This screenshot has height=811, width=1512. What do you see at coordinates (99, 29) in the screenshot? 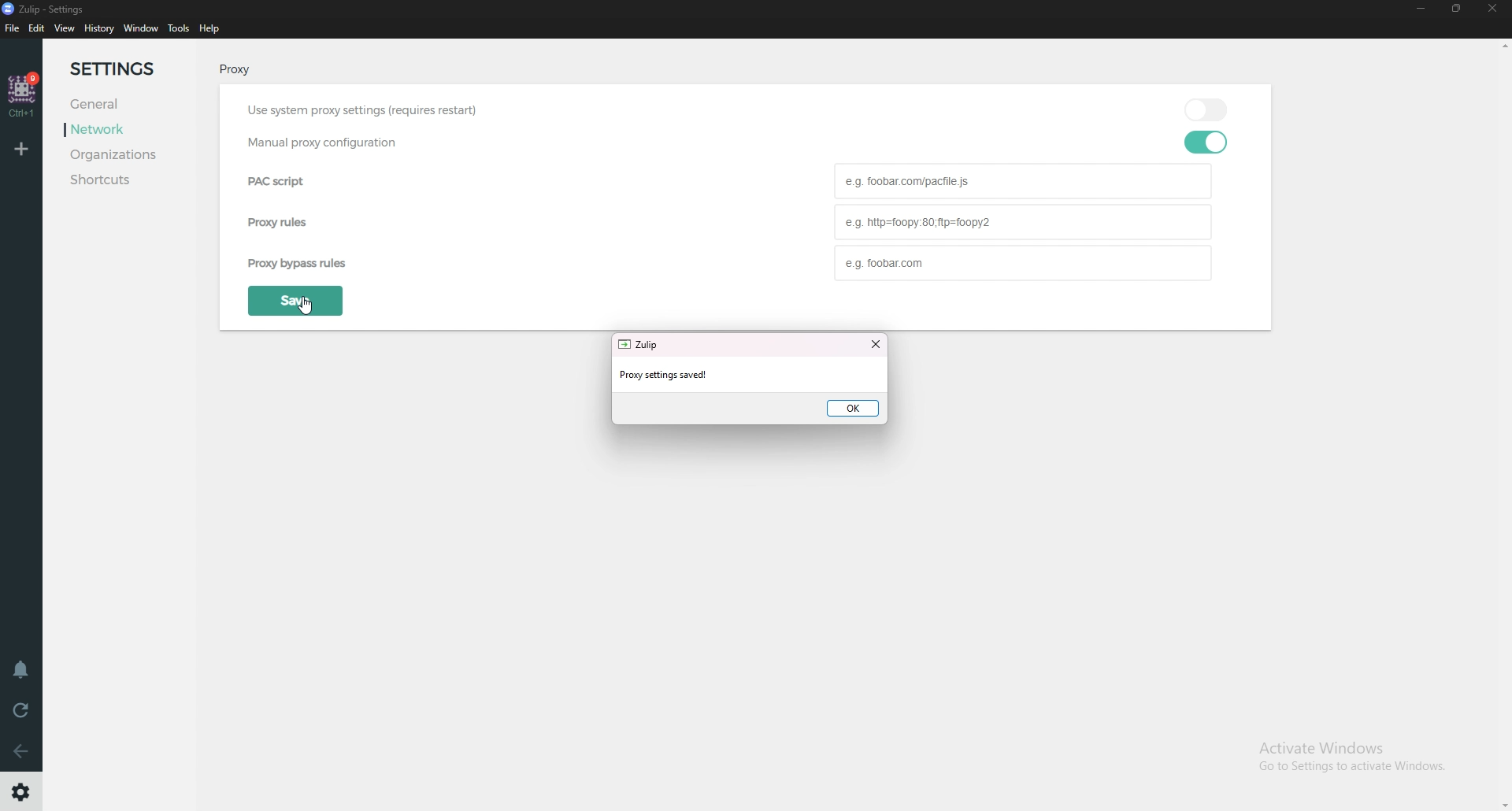
I see `History` at bounding box center [99, 29].